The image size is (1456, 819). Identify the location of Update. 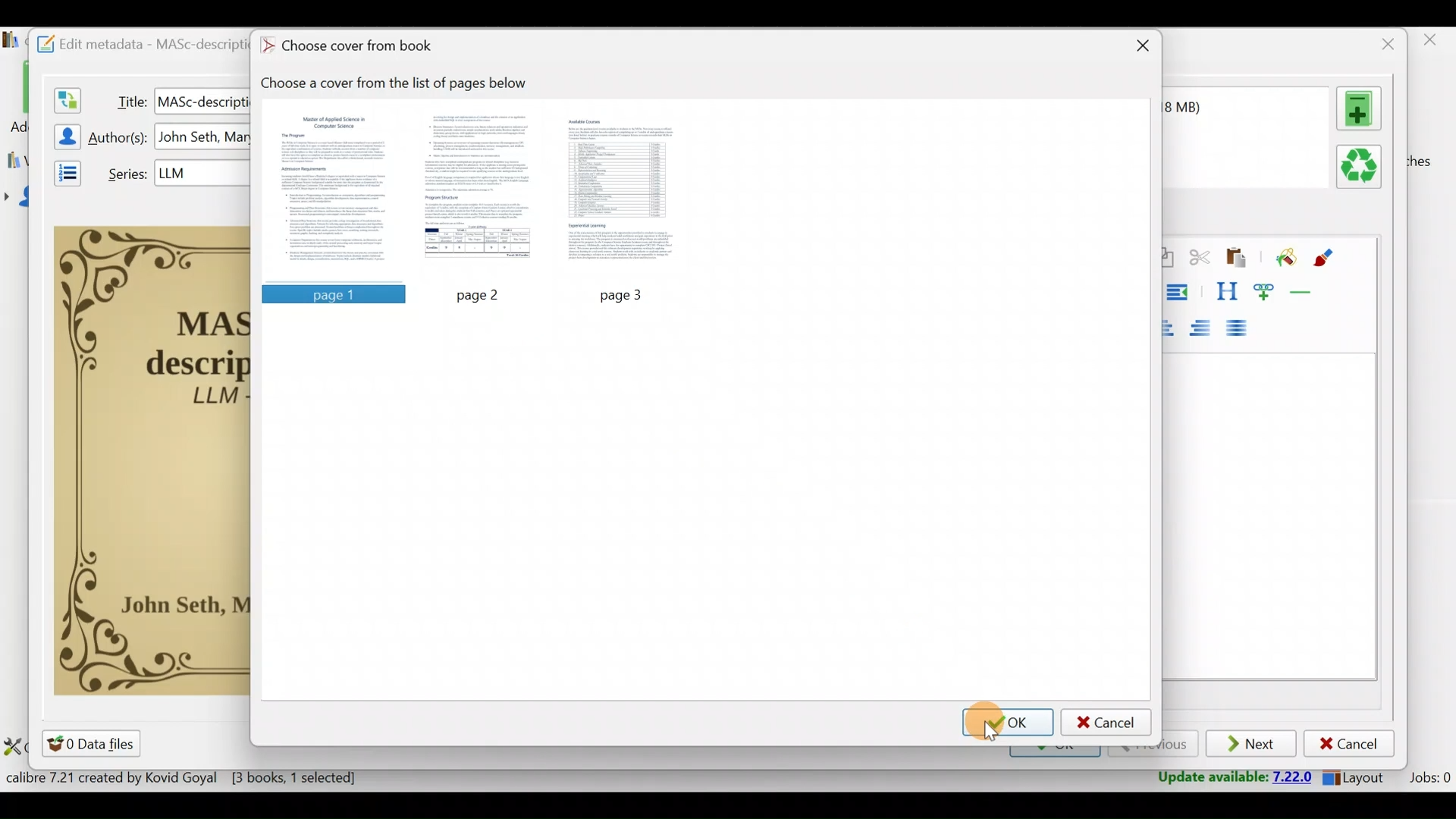
(1230, 778).